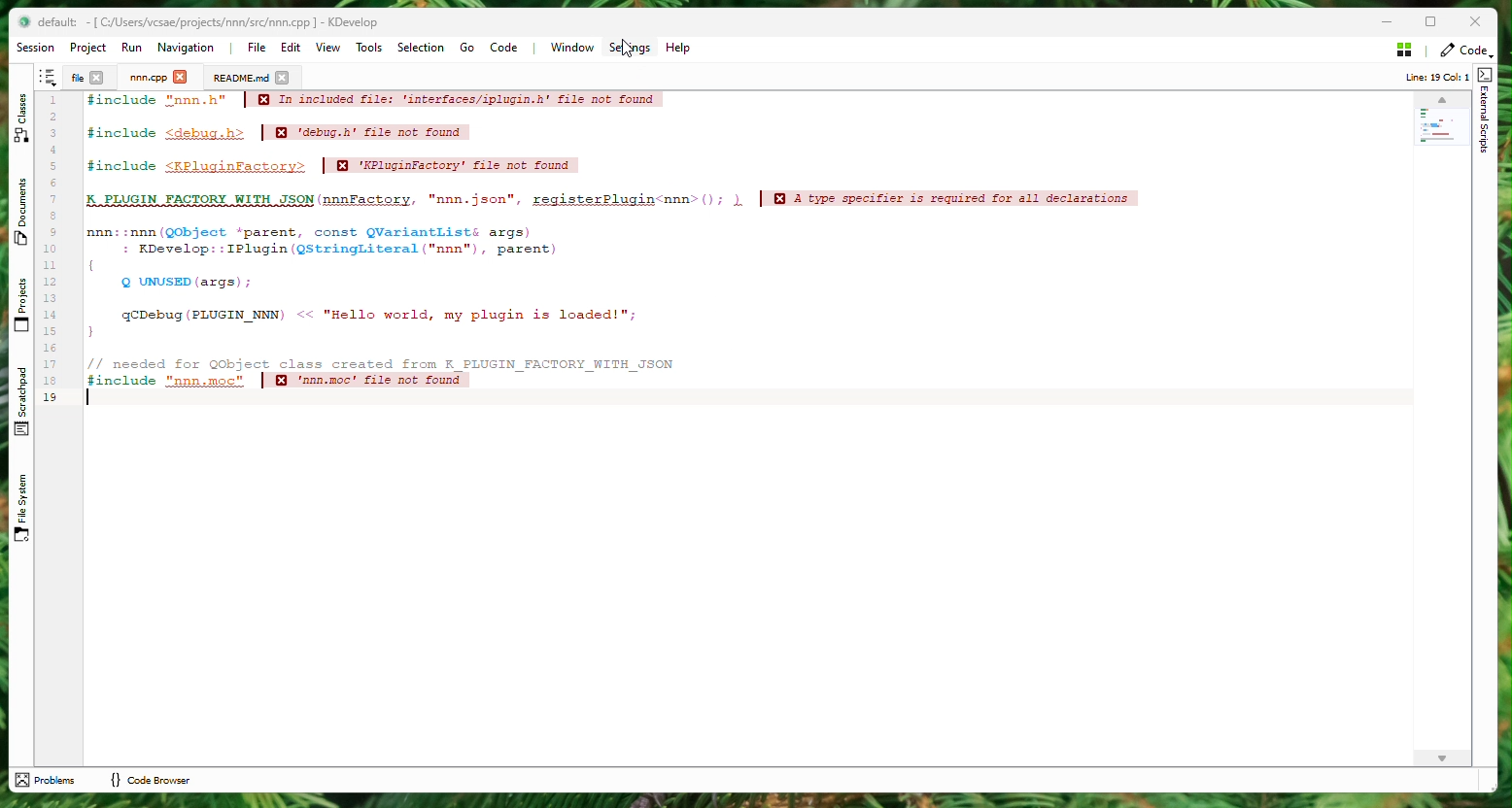  I want to click on Code, so click(1463, 50).